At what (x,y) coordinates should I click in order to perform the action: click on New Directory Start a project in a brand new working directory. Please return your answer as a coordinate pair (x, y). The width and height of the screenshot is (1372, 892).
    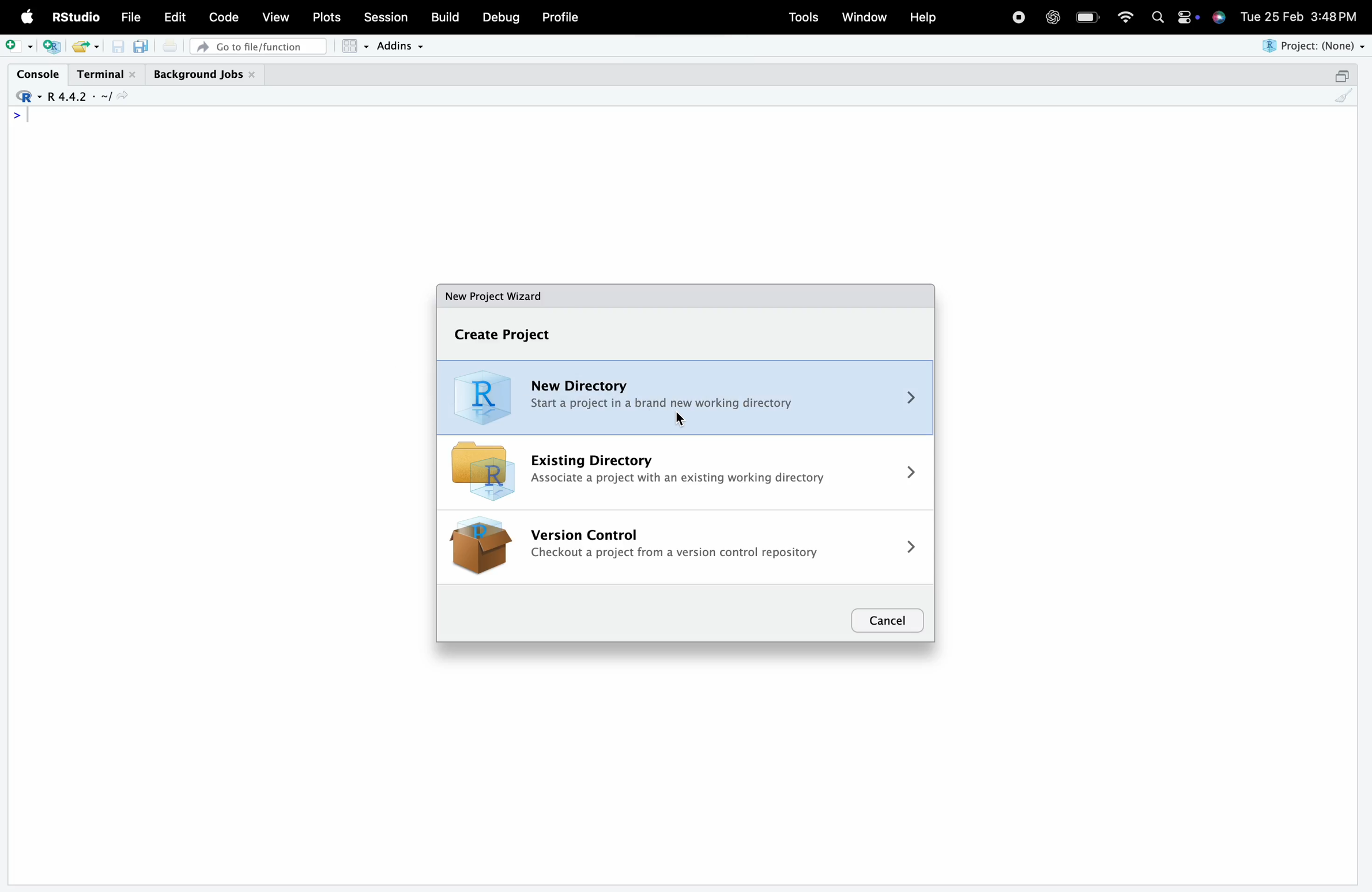
    Looking at the image, I should click on (684, 399).